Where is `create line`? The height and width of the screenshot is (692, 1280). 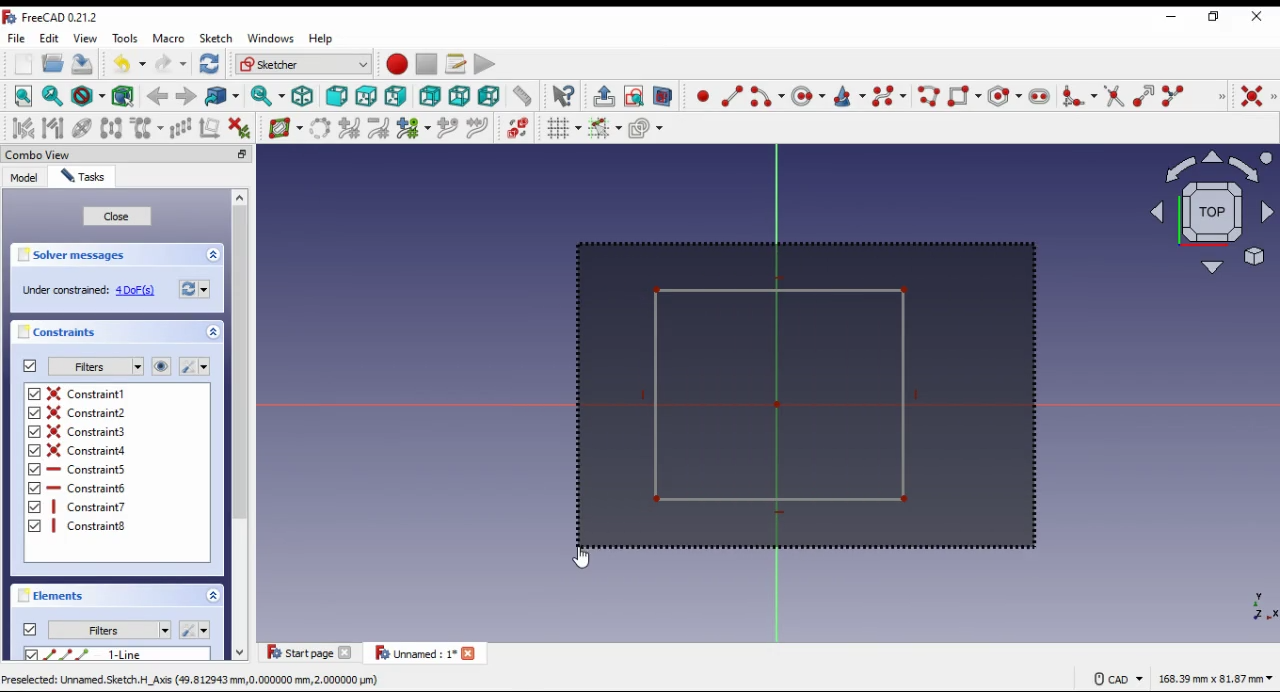 create line is located at coordinates (732, 96).